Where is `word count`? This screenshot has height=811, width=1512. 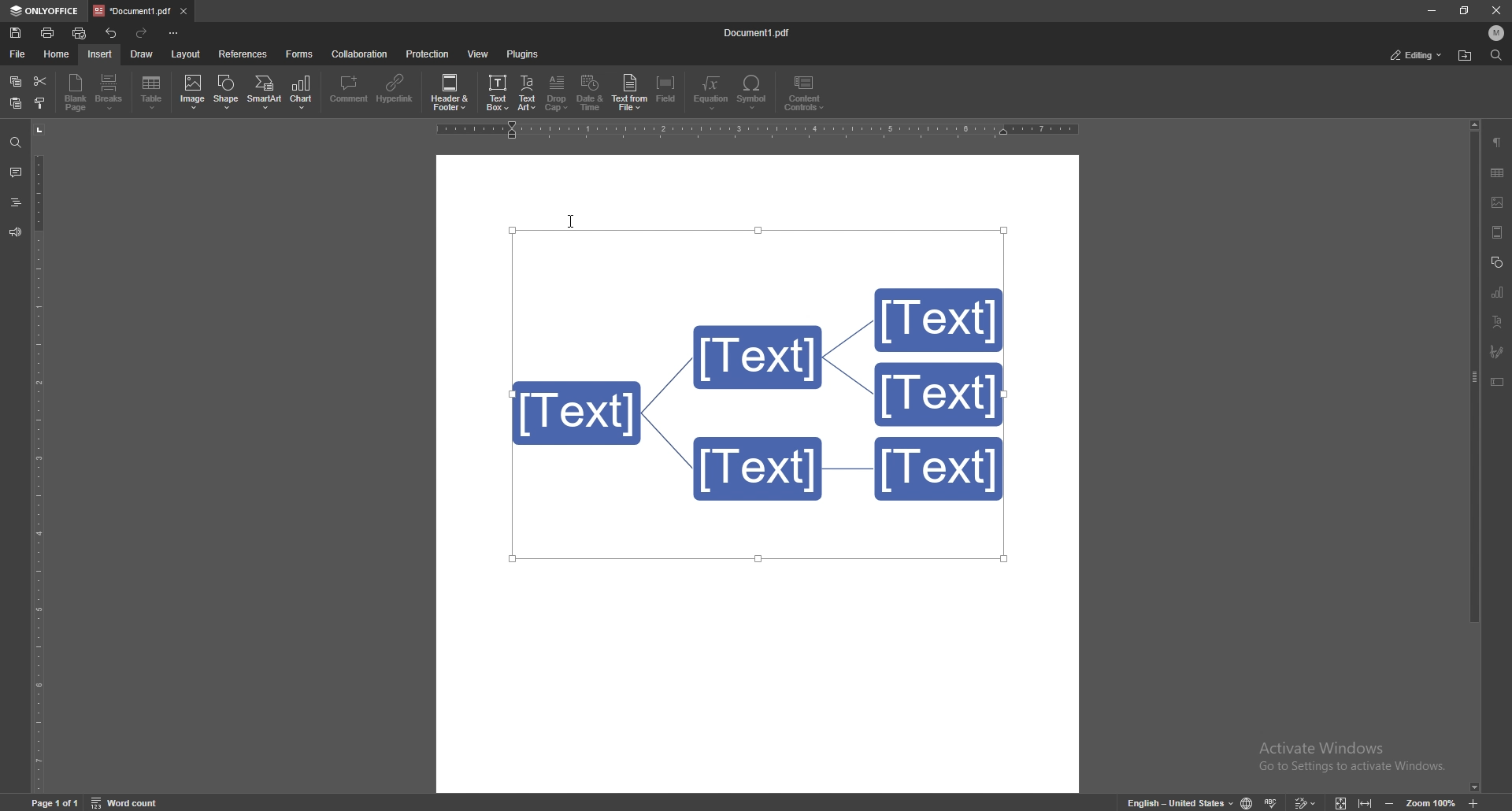
word count is located at coordinates (127, 801).